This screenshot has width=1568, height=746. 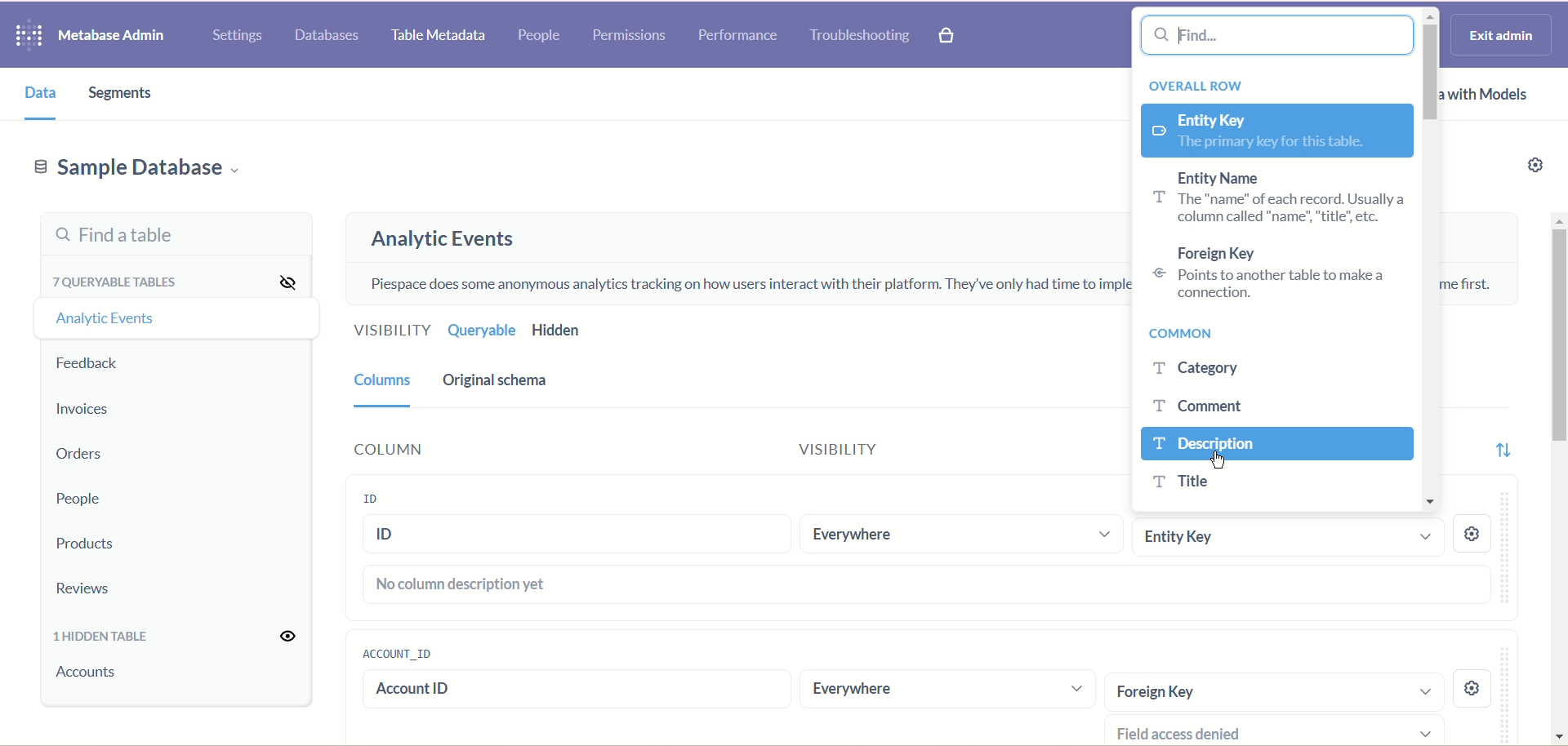 I want to click on settings, so click(x=237, y=37).